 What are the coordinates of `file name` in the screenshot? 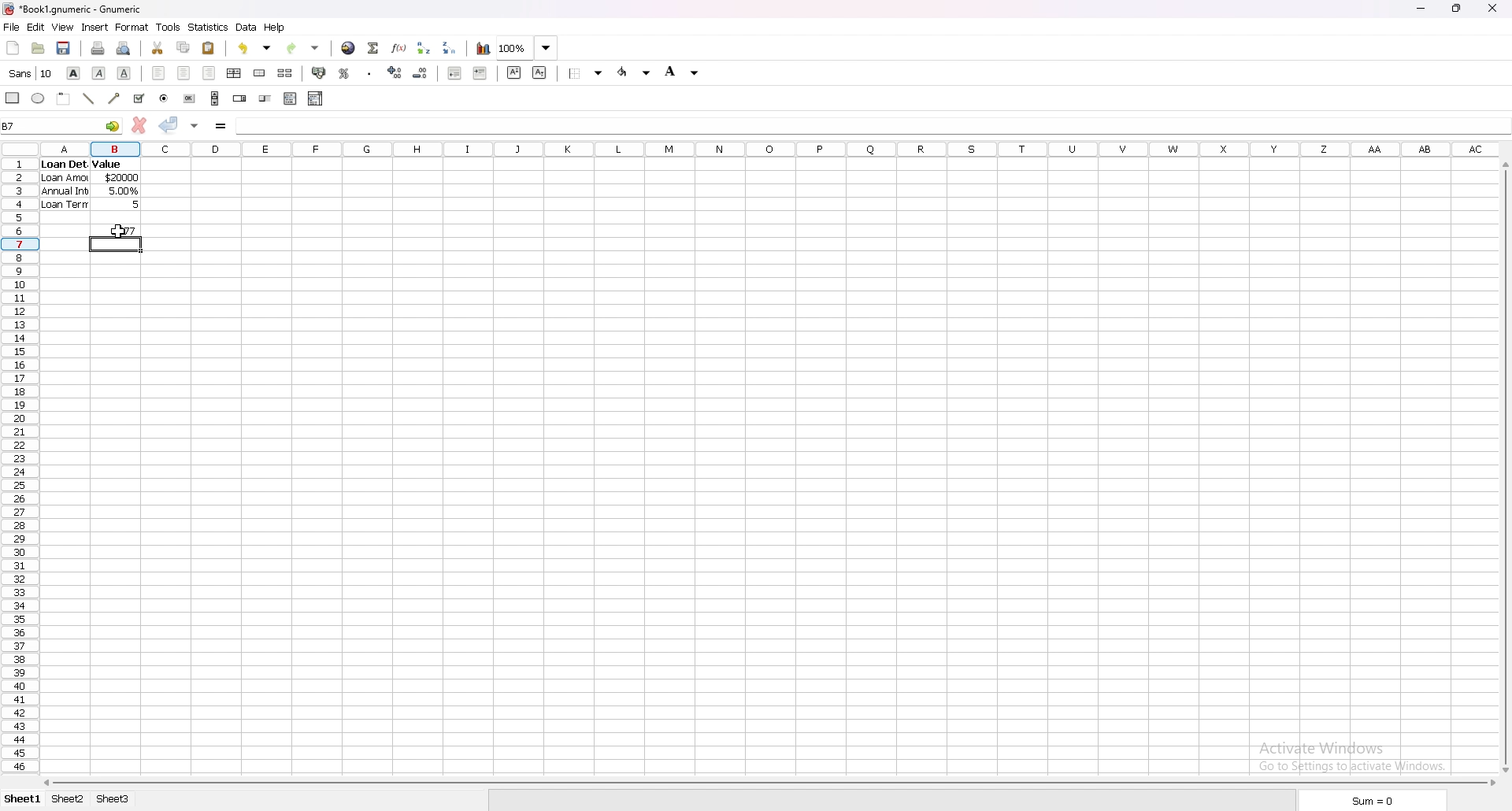 It's located at (74, 9).